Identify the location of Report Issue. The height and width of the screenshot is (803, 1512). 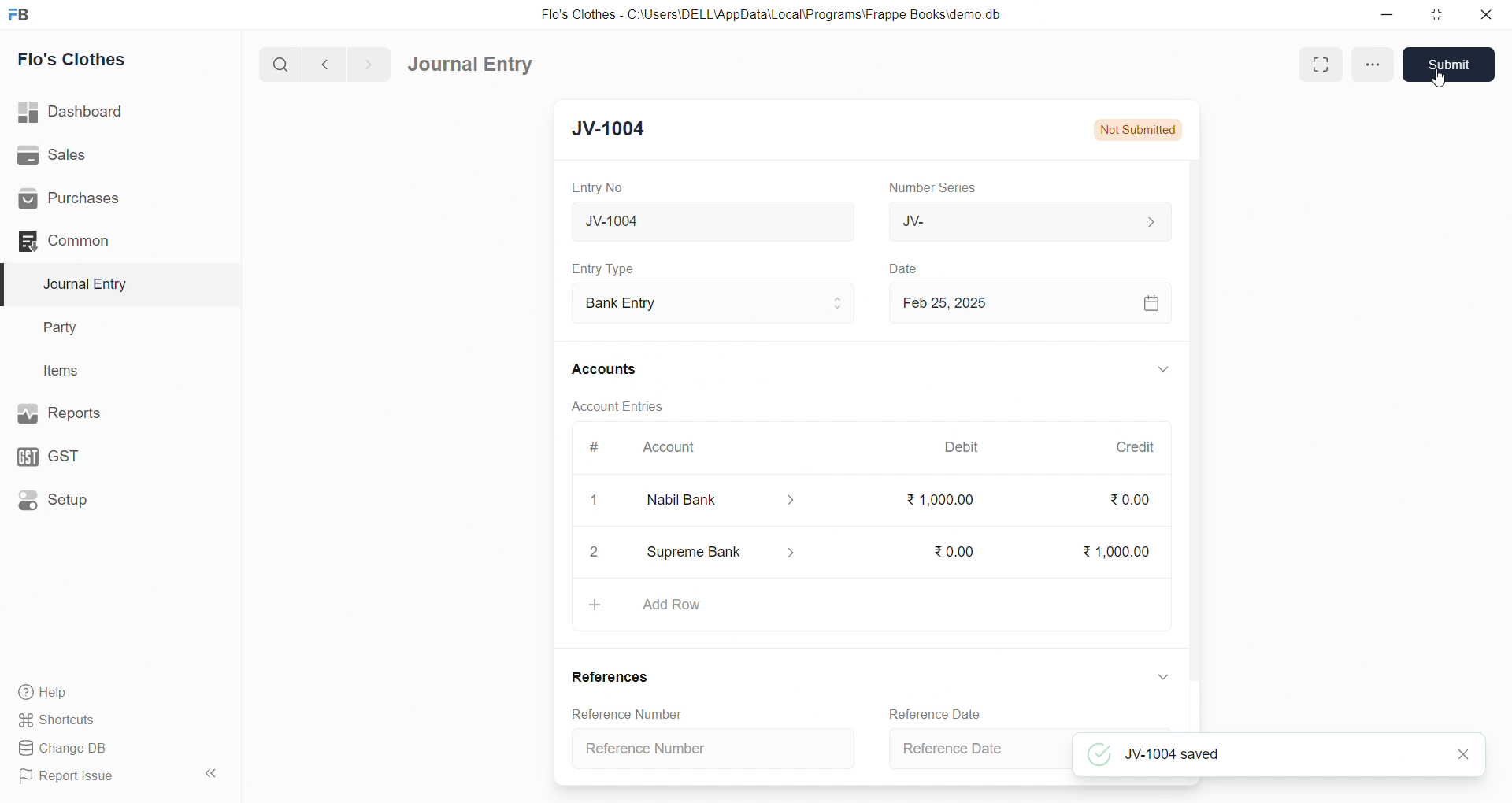
(98, 776).